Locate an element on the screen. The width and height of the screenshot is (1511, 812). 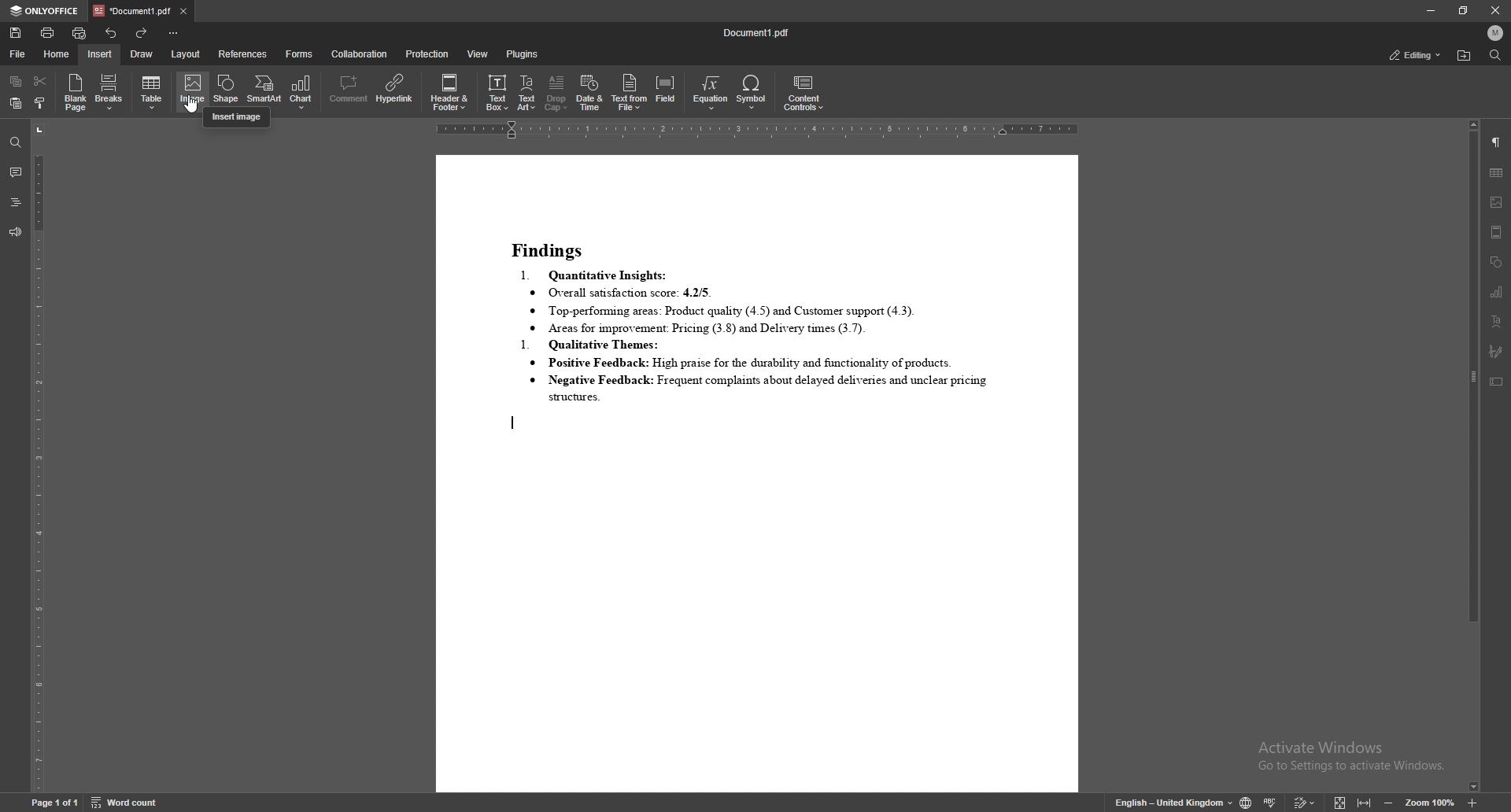
redo is located at coordinates (143, 32).